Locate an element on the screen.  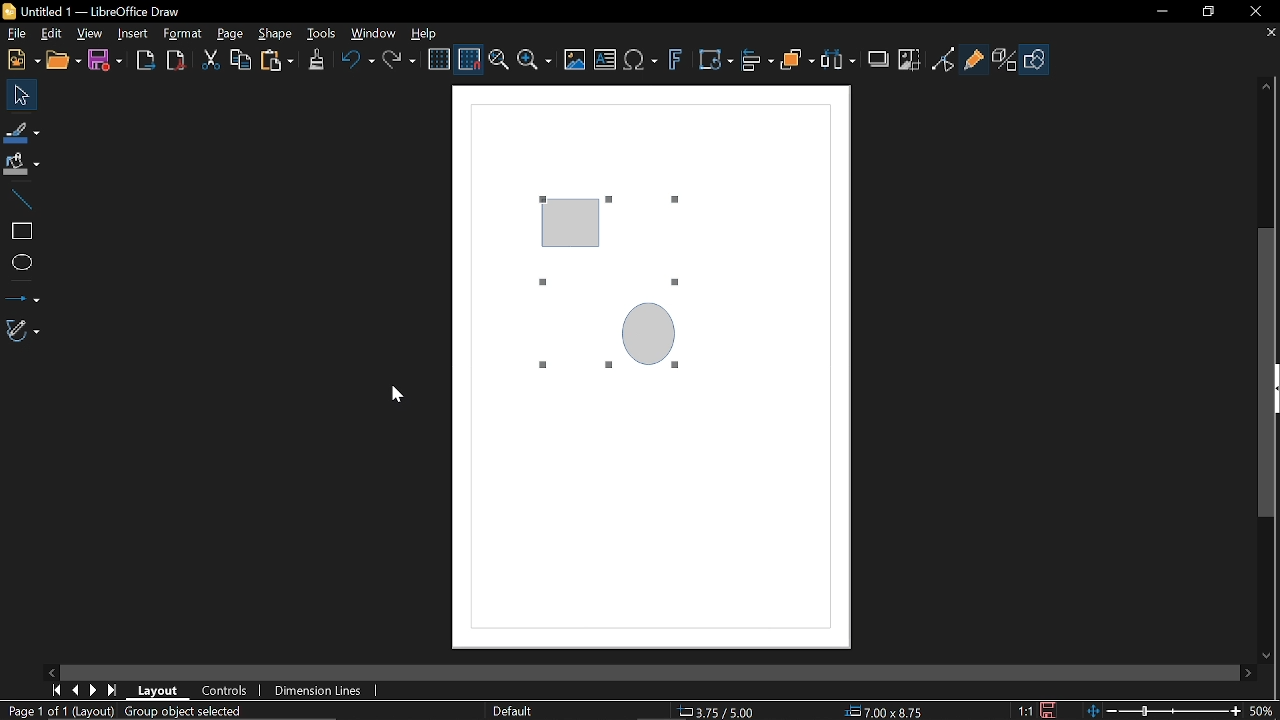
Open is located at coordinates (63, 61).